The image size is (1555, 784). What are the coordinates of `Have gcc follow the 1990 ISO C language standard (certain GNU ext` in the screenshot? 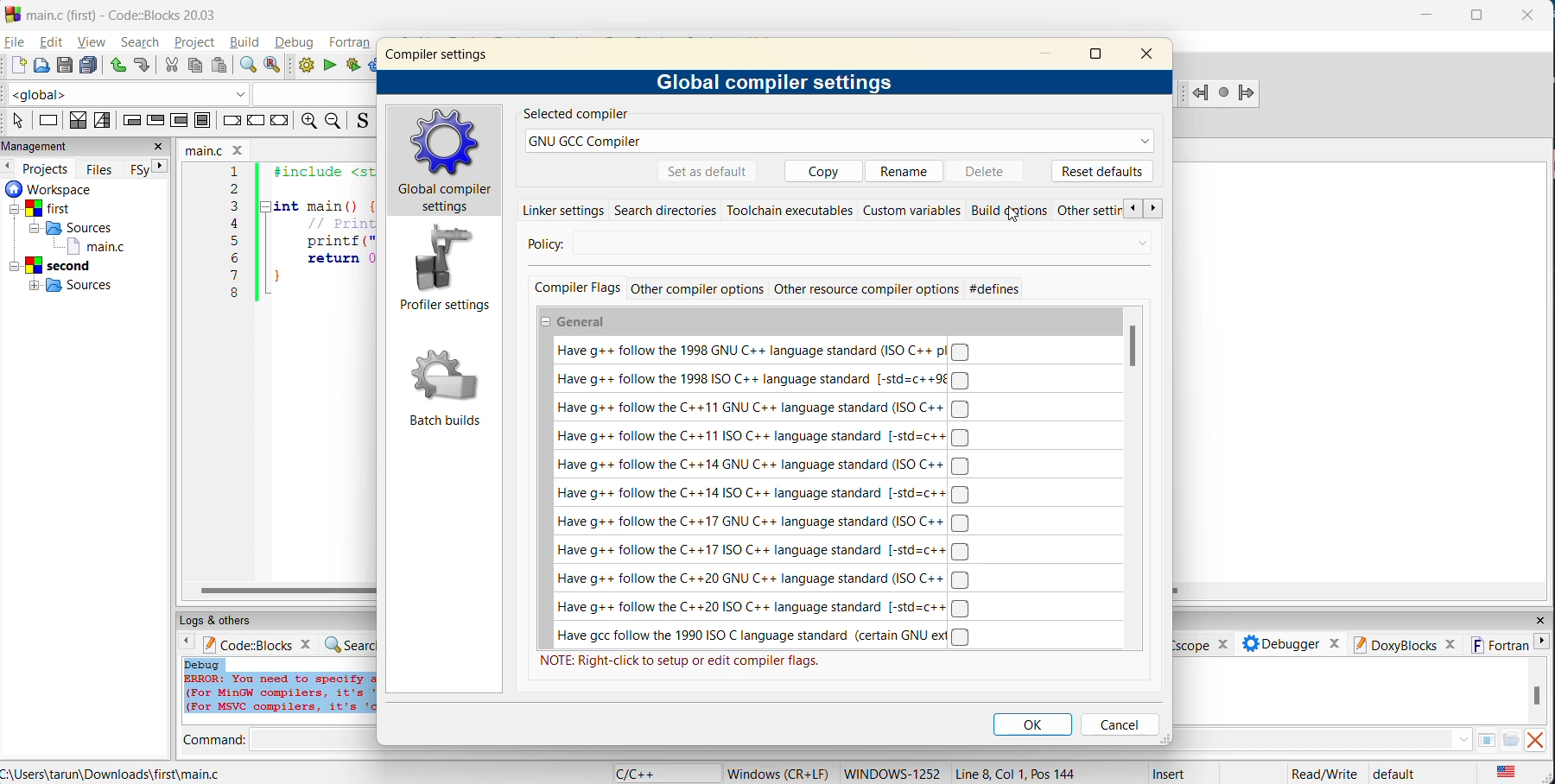 It's located at (765, 637).